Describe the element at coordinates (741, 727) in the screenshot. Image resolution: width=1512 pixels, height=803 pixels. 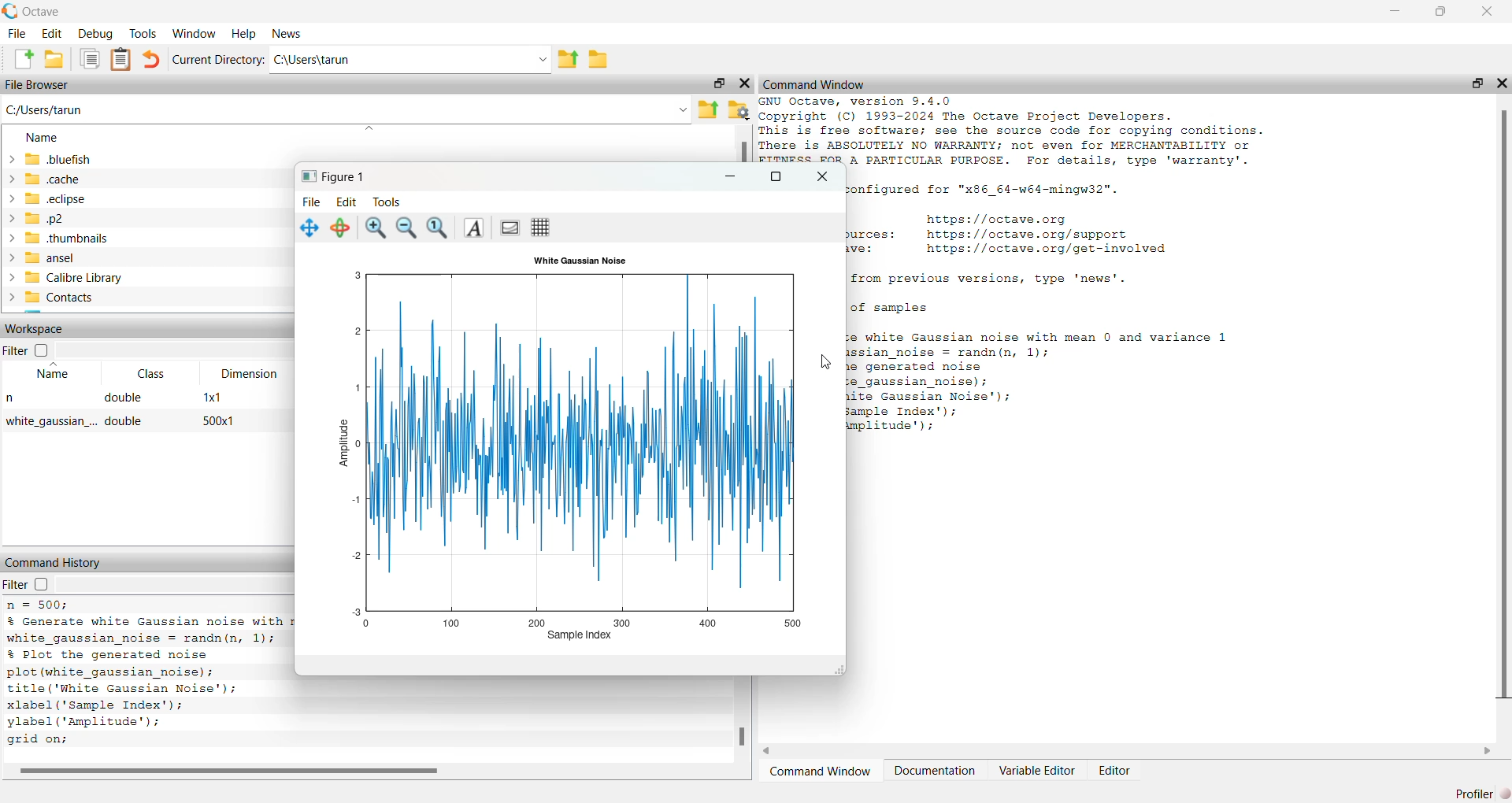
I see `vertical scroll bar` at that location.